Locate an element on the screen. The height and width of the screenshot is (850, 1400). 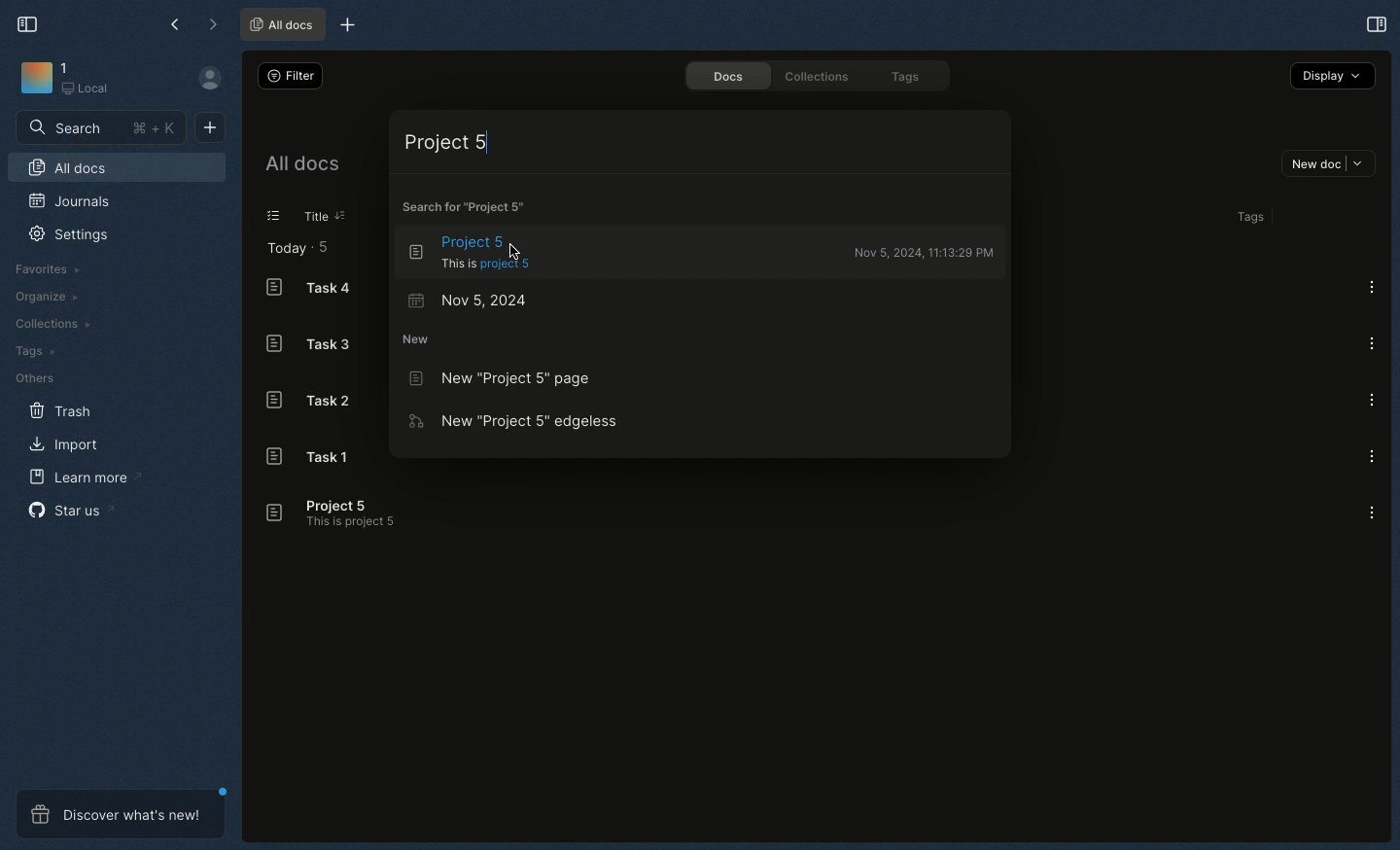
Options is located at coordinates (1371, 400).